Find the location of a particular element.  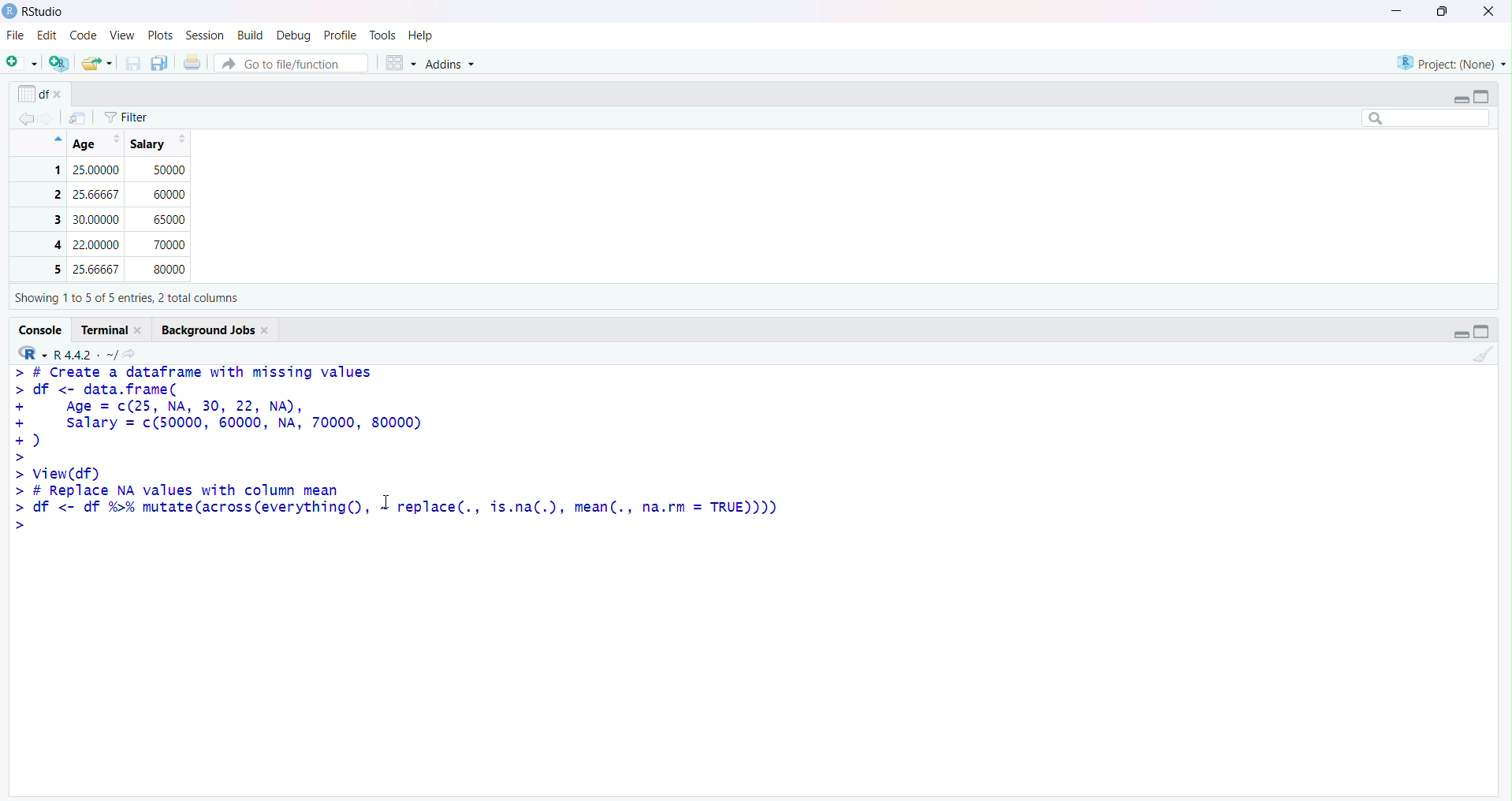

Maximize is located at coordinates (1445, 12).